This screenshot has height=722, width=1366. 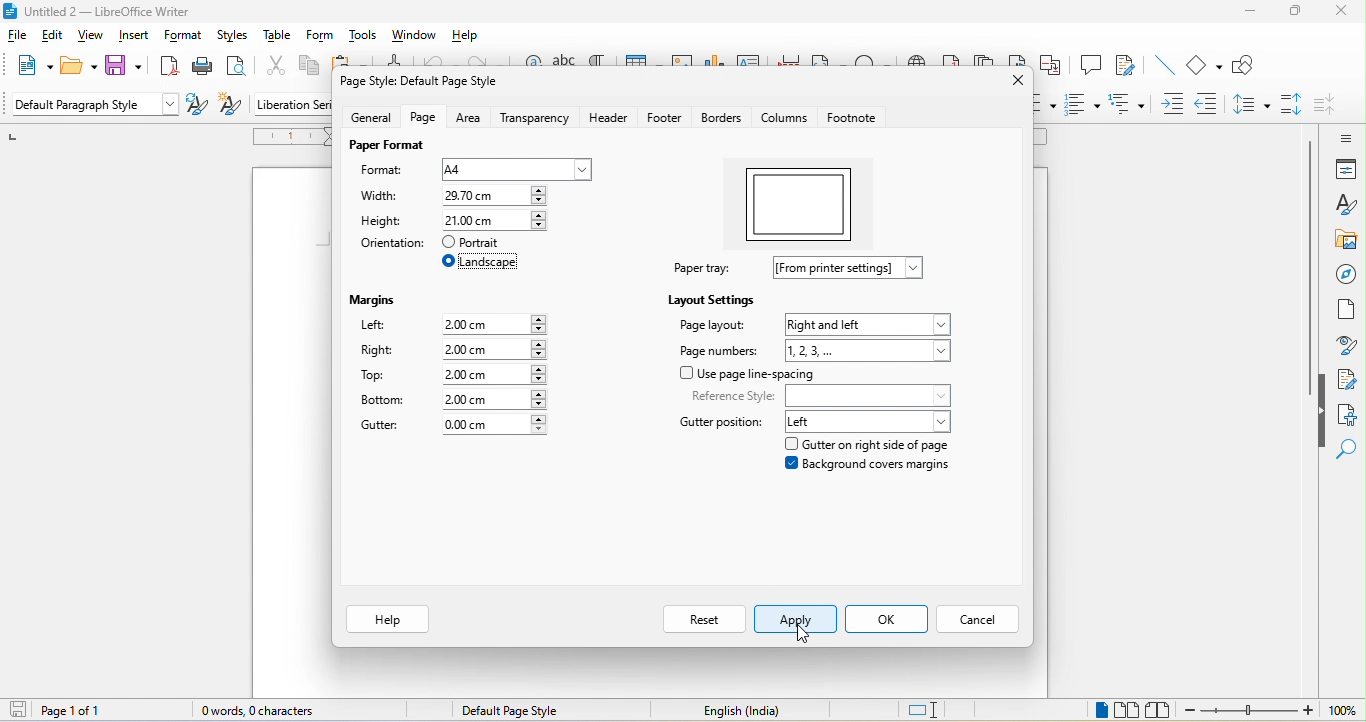 What do you see at coordinates (388, 620) in the screenshot?
I see `help` at bounding box center [388, 620].